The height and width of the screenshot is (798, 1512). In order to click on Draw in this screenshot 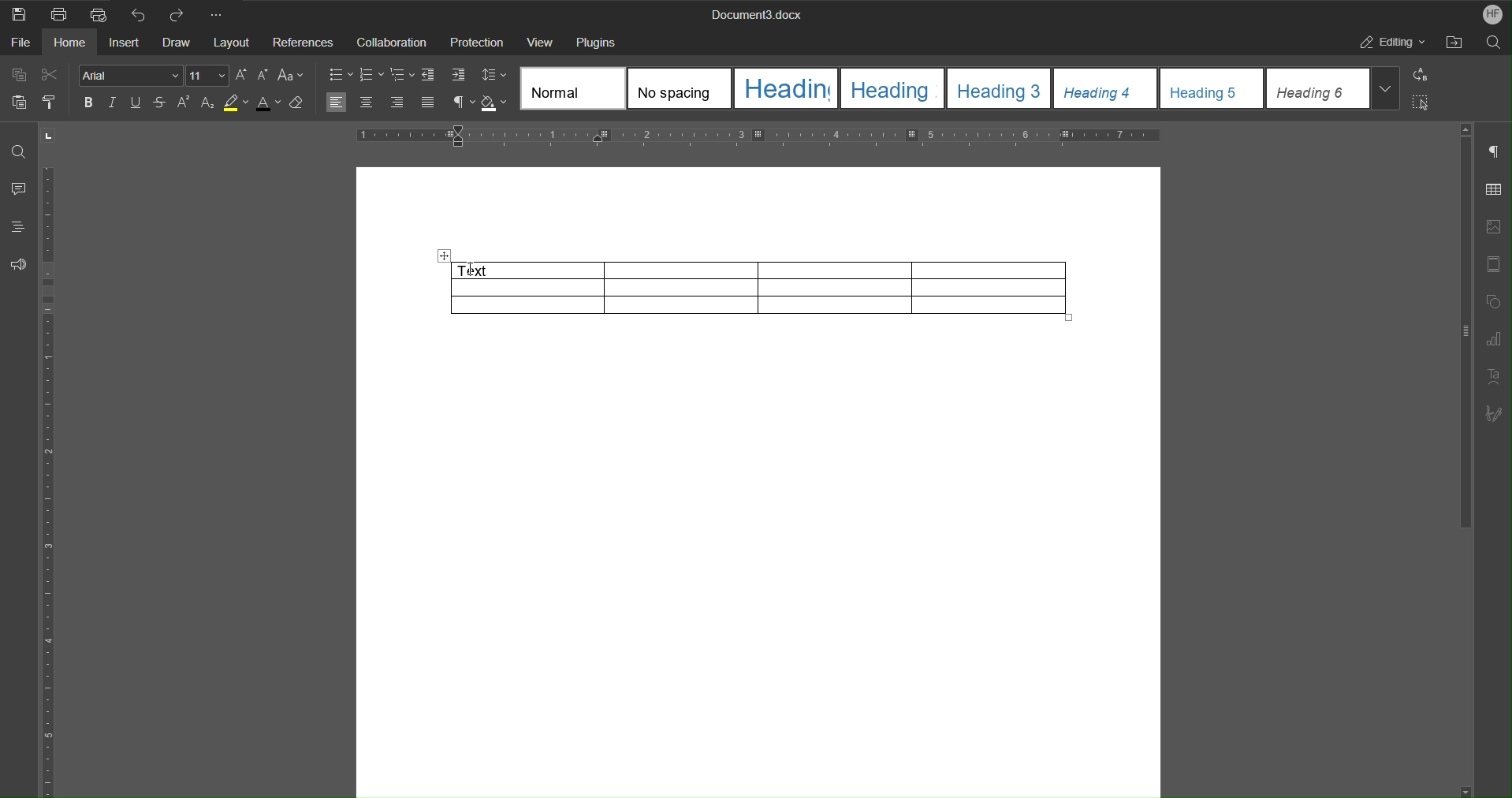, I will do `click(177, 42)`.